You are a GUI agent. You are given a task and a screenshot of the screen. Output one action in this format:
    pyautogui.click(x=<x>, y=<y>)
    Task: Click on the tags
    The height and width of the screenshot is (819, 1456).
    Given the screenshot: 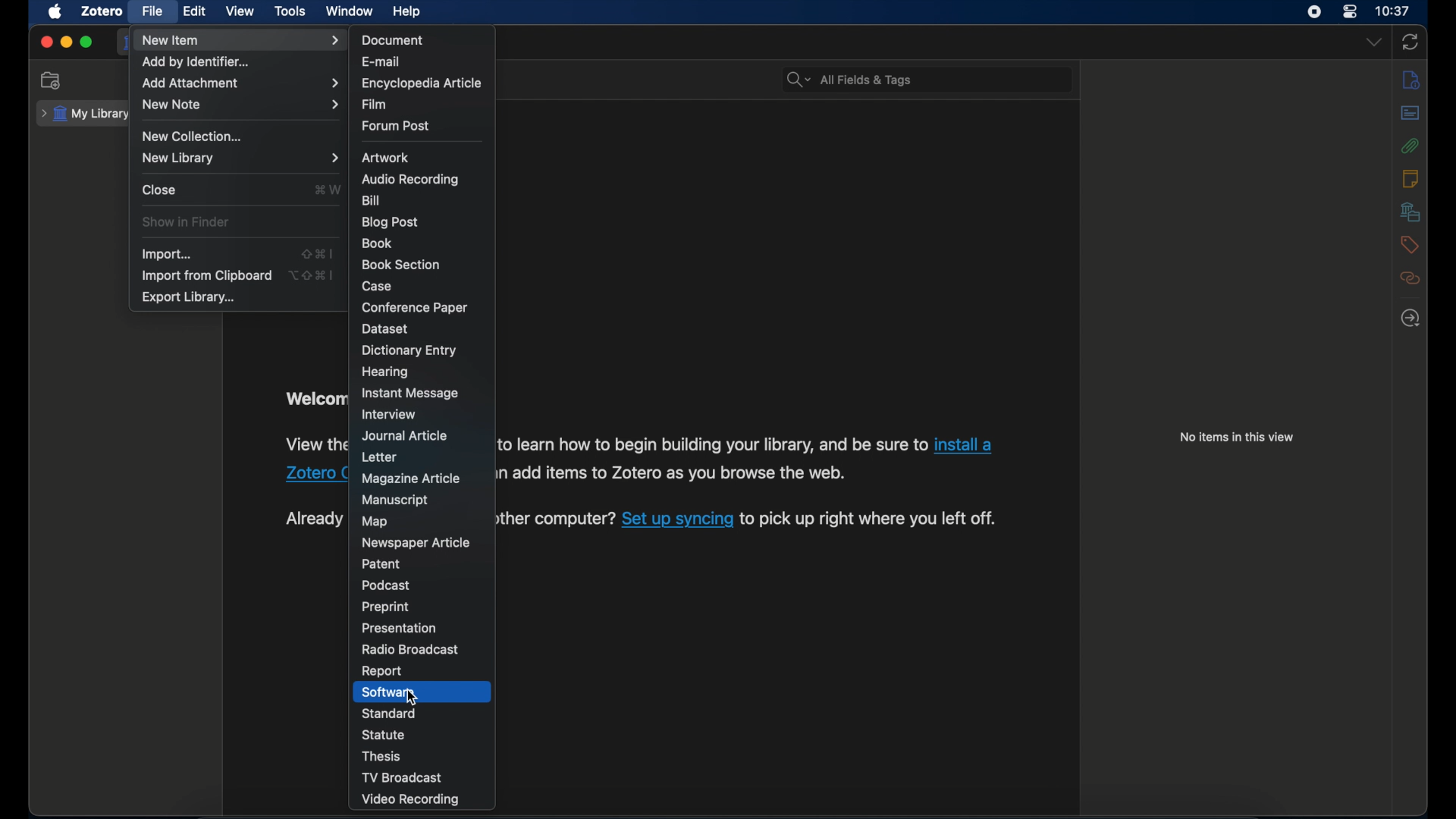 What is the action you would take?
    pyautogui.click(x=1410, y=245)
    